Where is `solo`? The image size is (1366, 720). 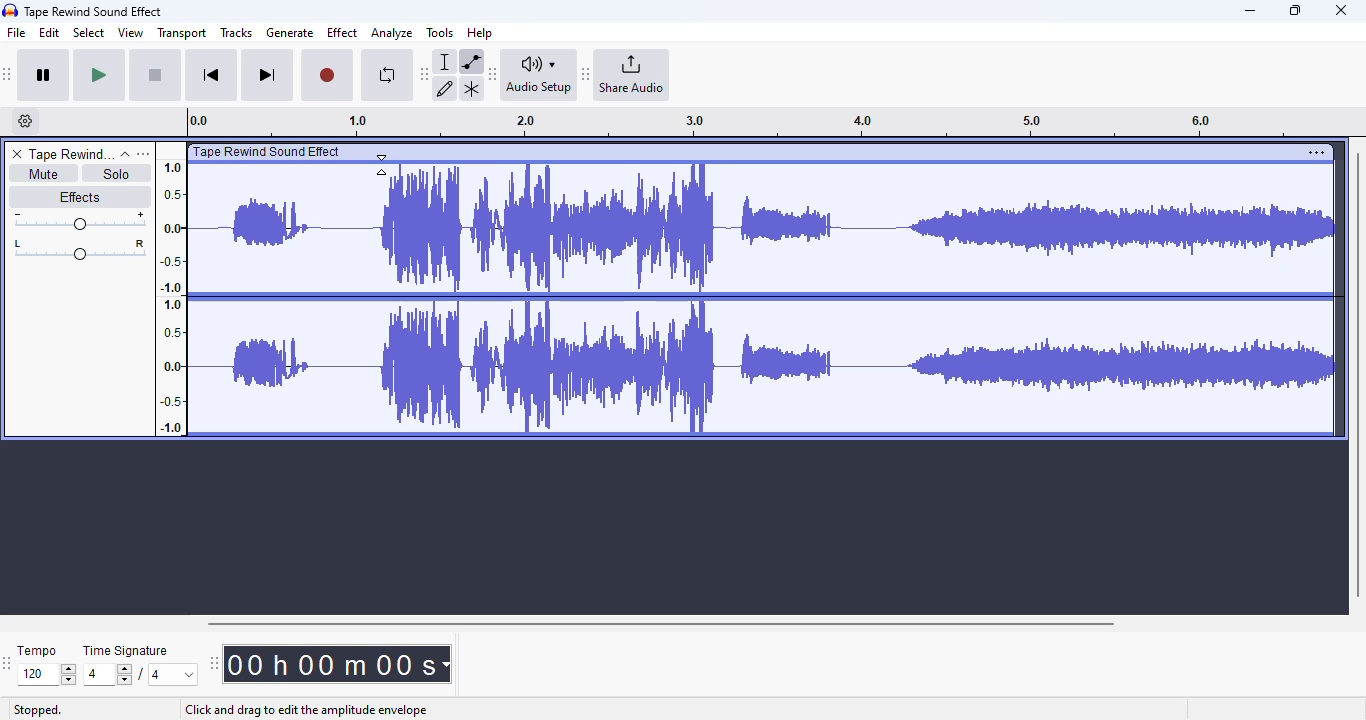 solo is located at coordinates (117, 173).